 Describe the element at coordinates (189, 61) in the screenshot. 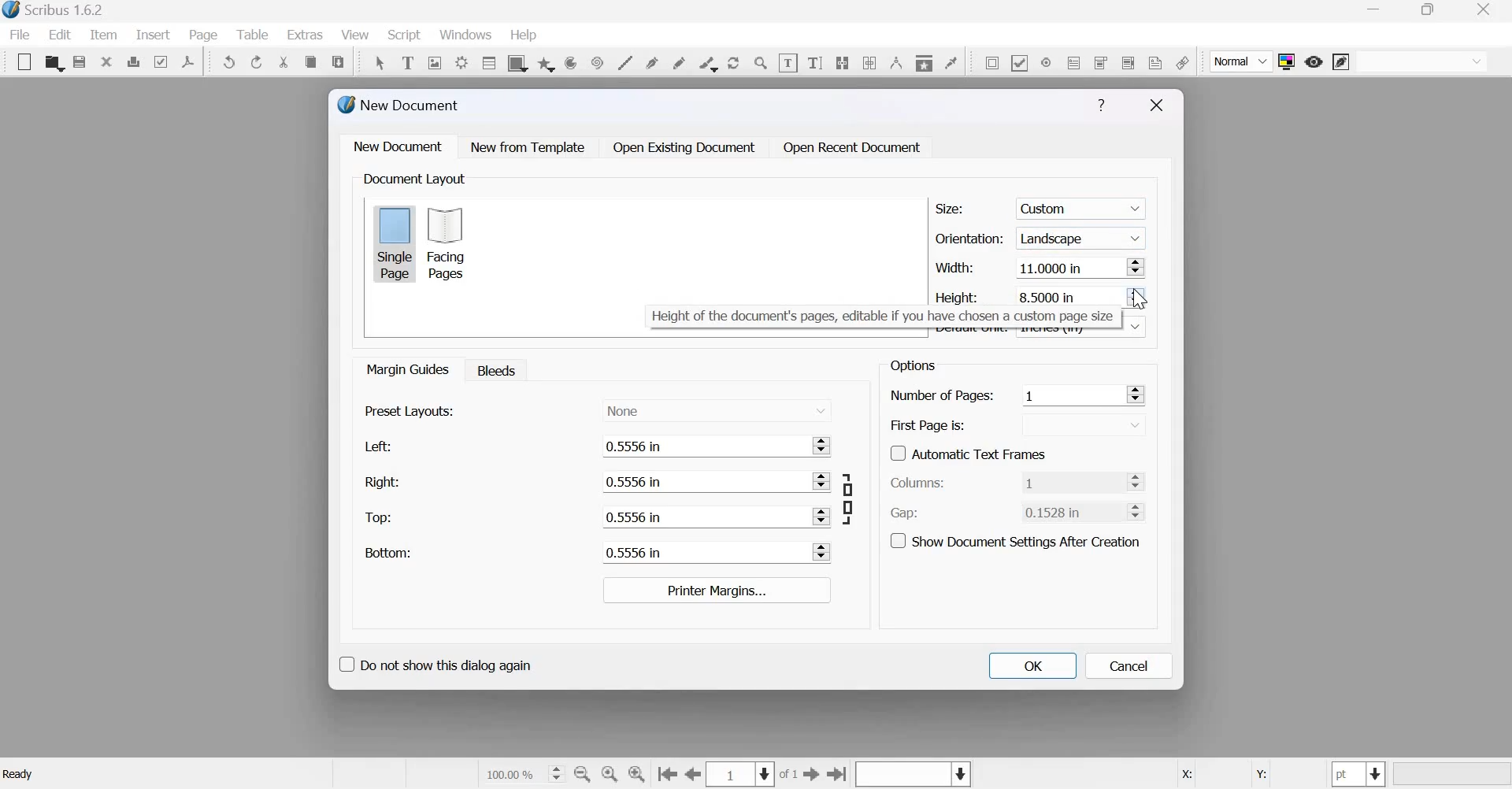

I see `Save as PDF` at that location.